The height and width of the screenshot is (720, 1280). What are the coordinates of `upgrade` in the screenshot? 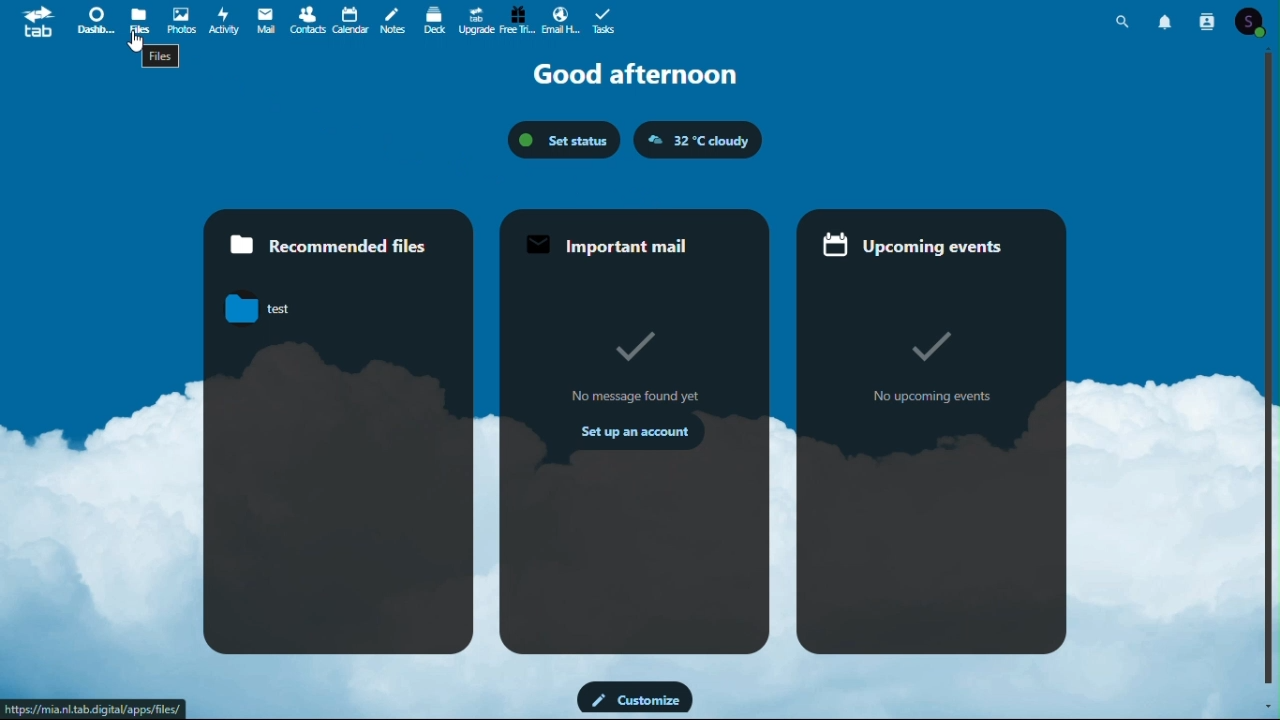 It's located at (475, 19).